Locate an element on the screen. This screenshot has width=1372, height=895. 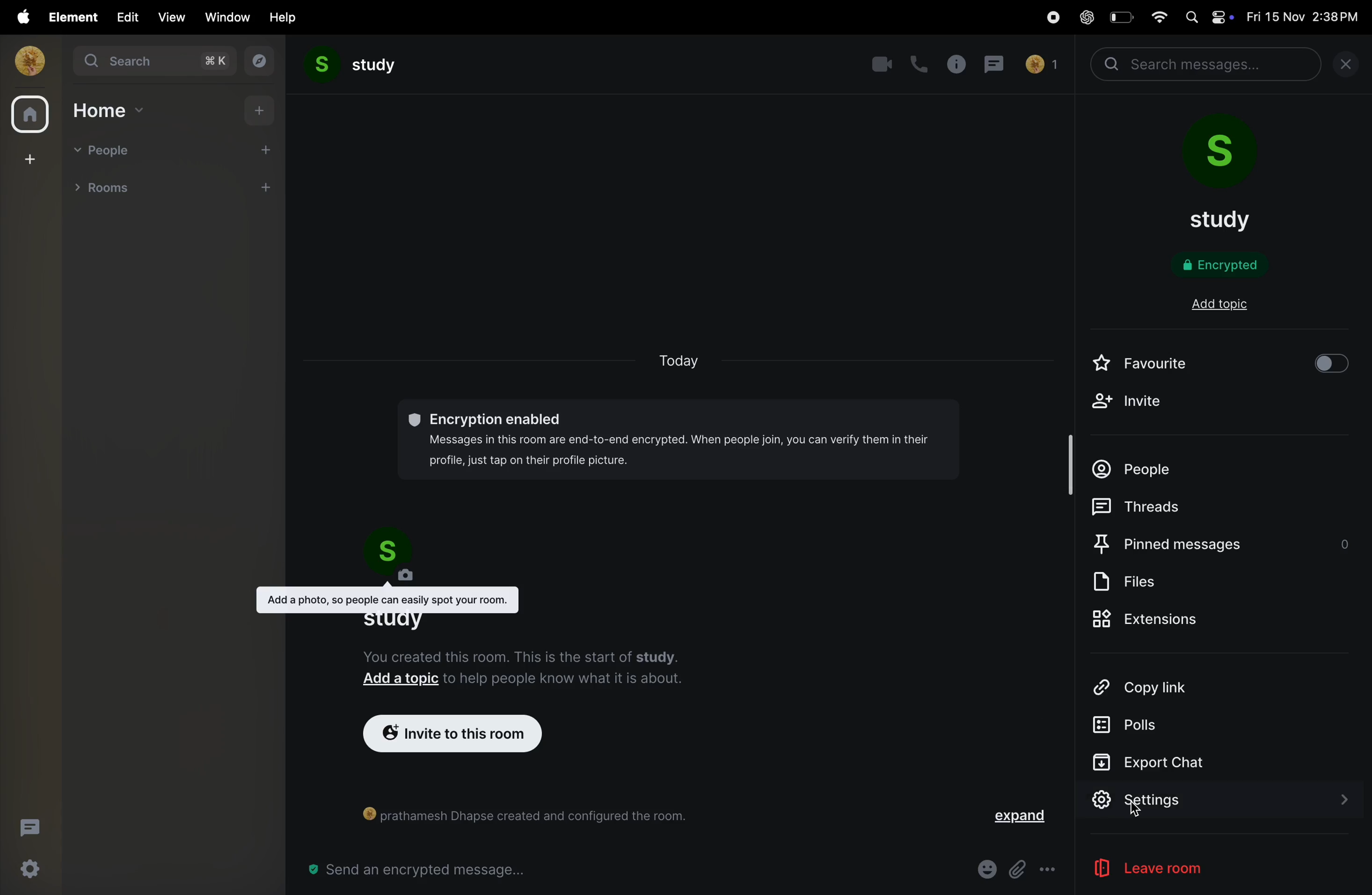
add home is located at coordinates (262, 110).